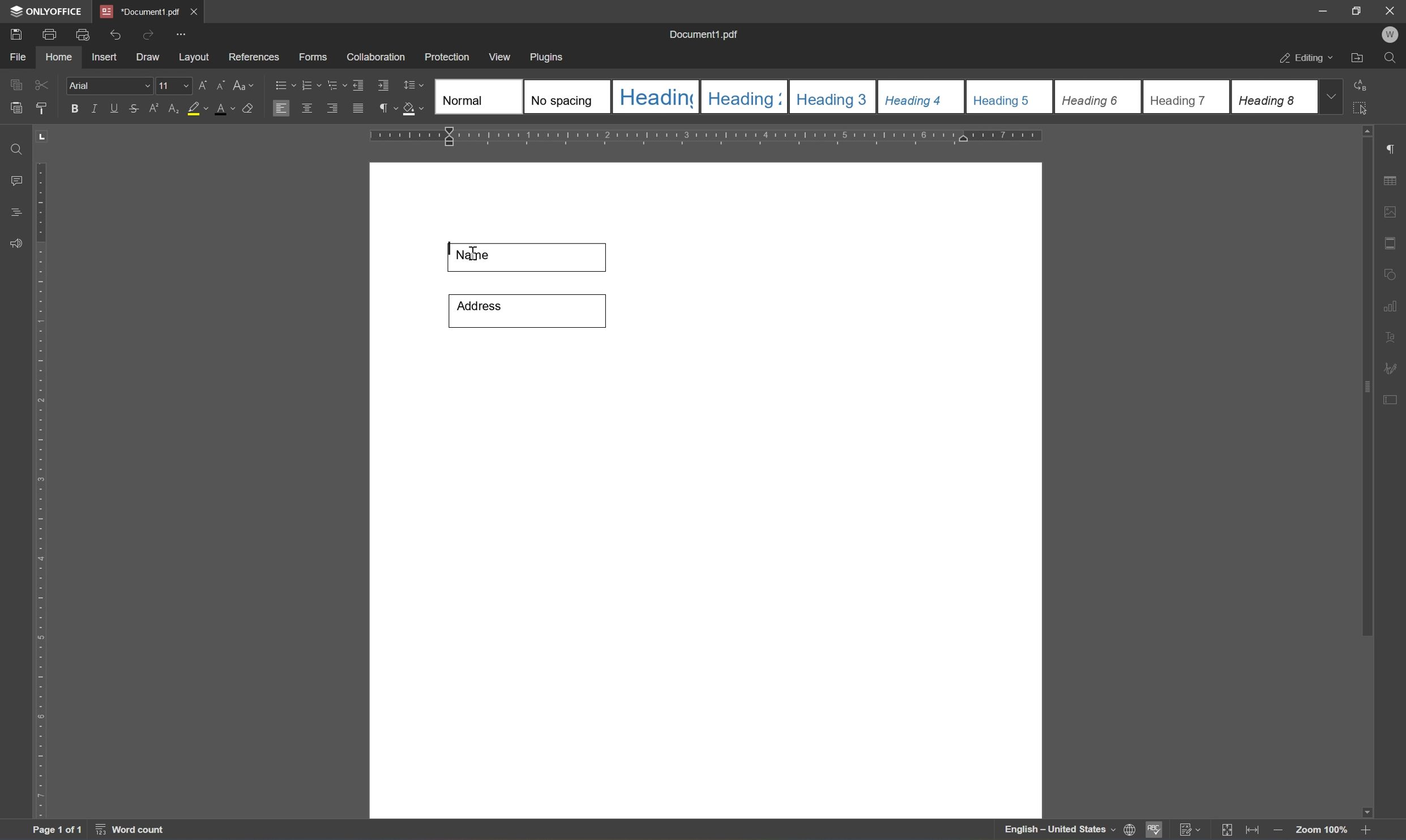  Describe the element at coordinates (197, 109) in the screenshot. I see `highlight color` at that location.